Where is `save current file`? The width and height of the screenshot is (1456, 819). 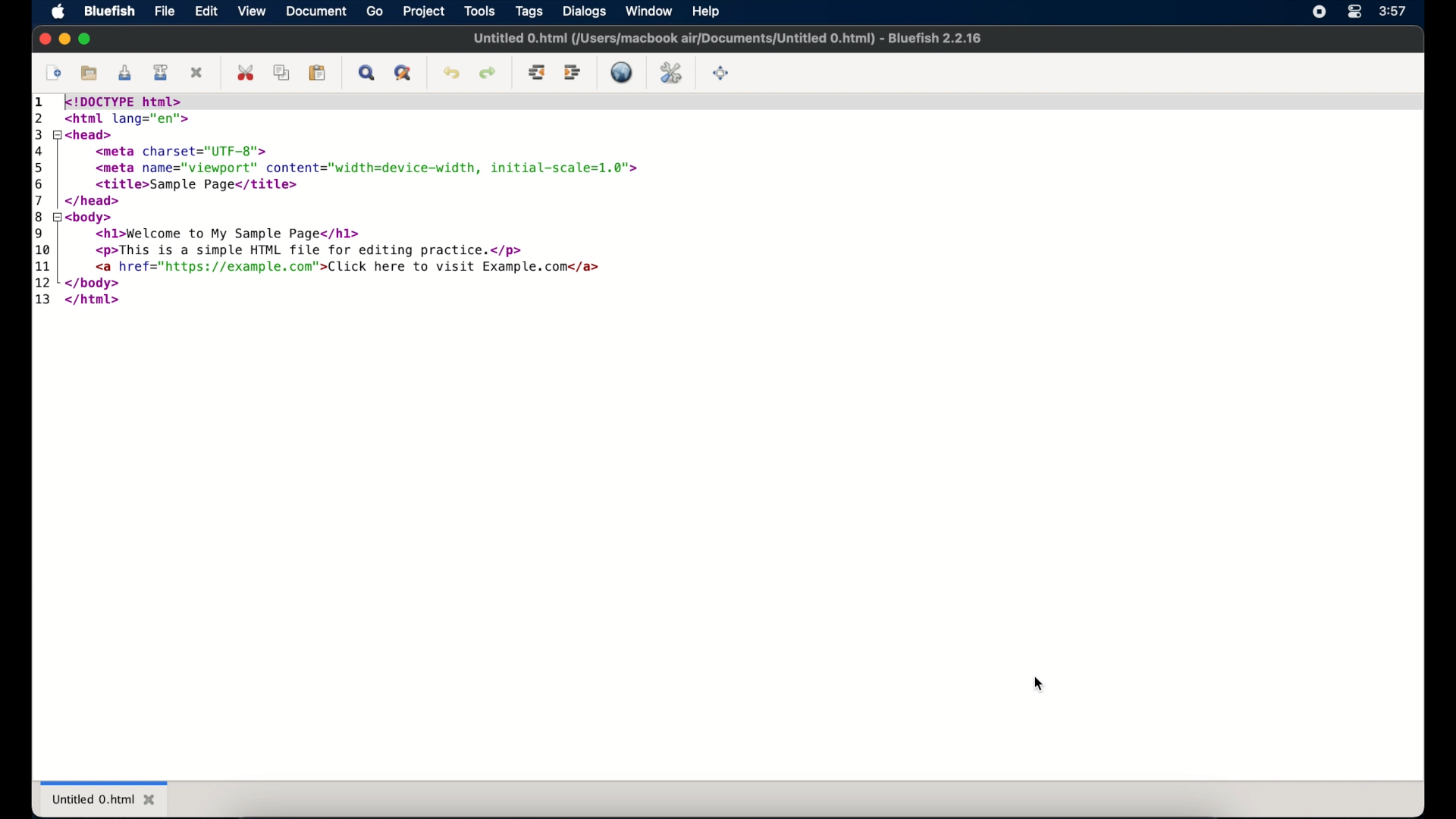 save current file is located at coordinates (124, 74).